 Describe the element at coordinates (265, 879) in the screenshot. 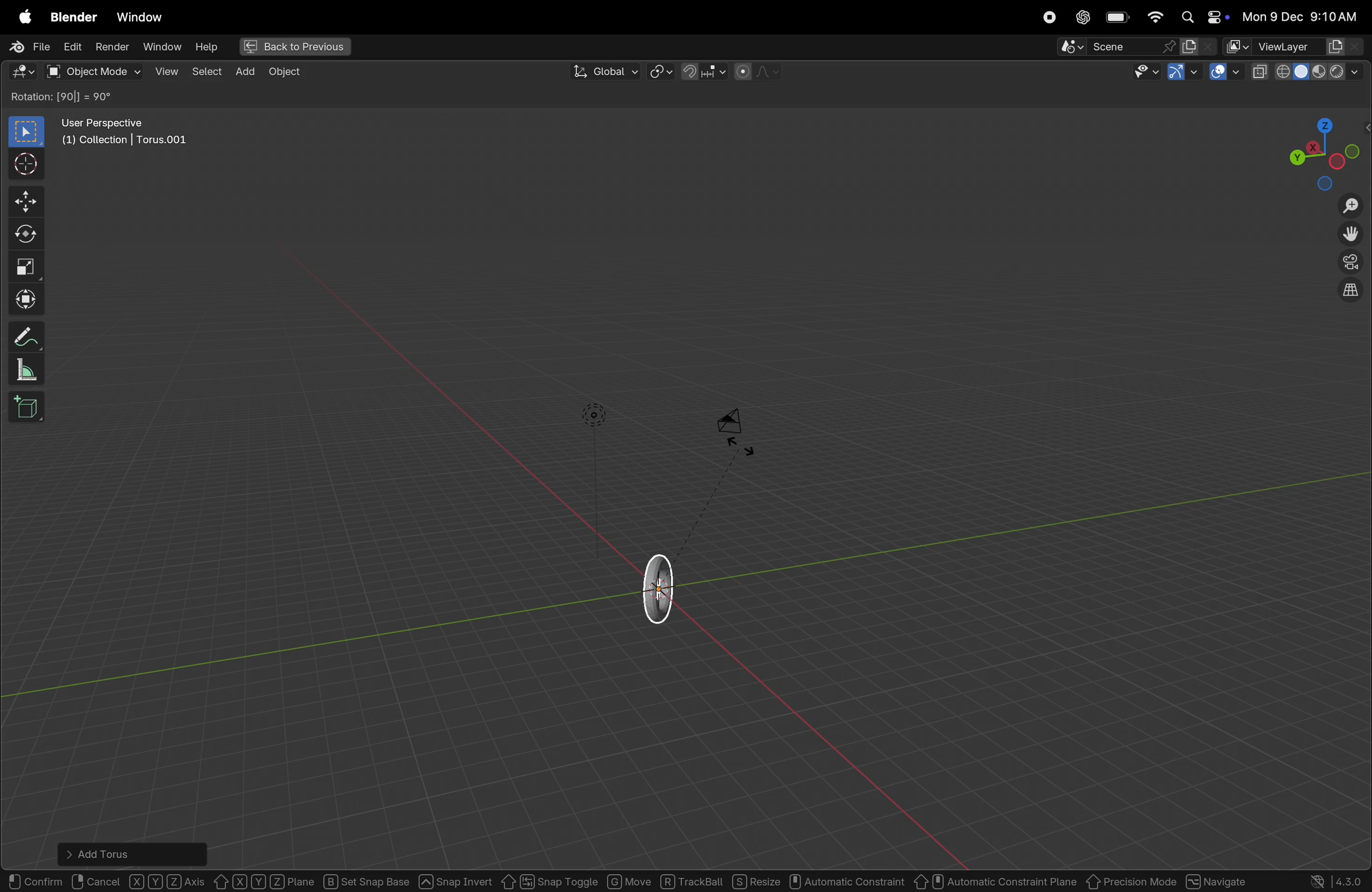

I see `xyz plane` at that location.